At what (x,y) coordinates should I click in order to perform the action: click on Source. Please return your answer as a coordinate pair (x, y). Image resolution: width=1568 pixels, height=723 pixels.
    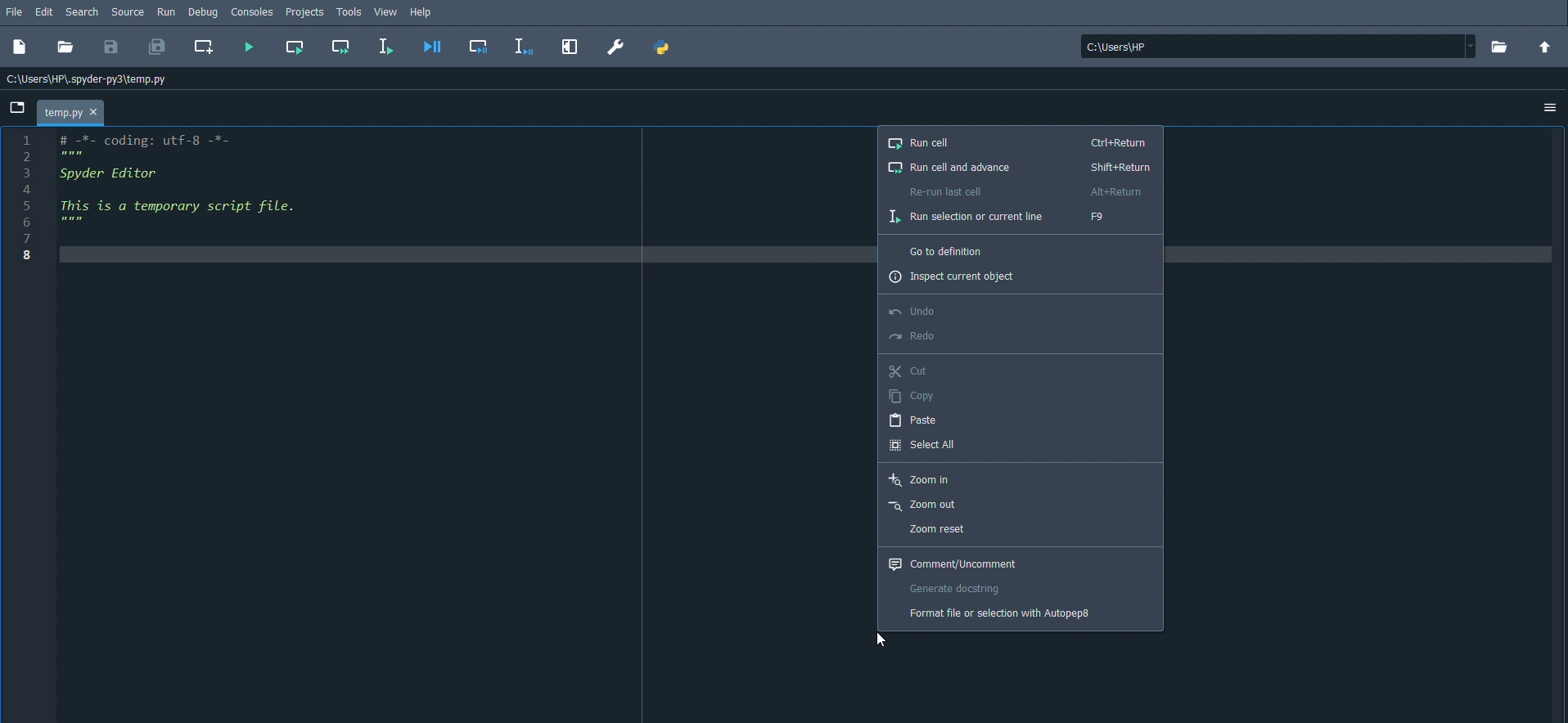
    Looking at the image, I should click on (130, 13).